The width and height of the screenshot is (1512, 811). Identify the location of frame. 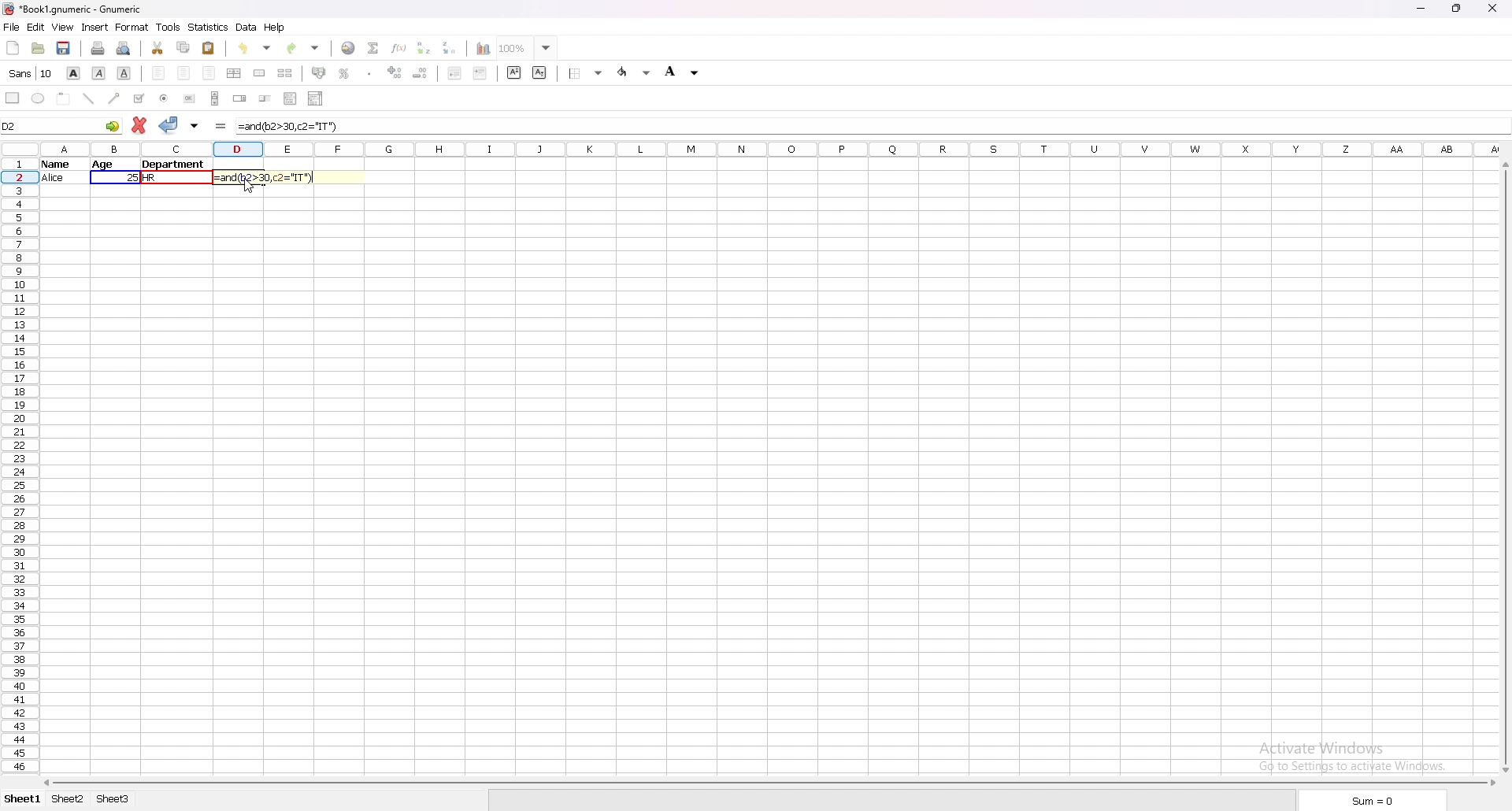
(66, 99).